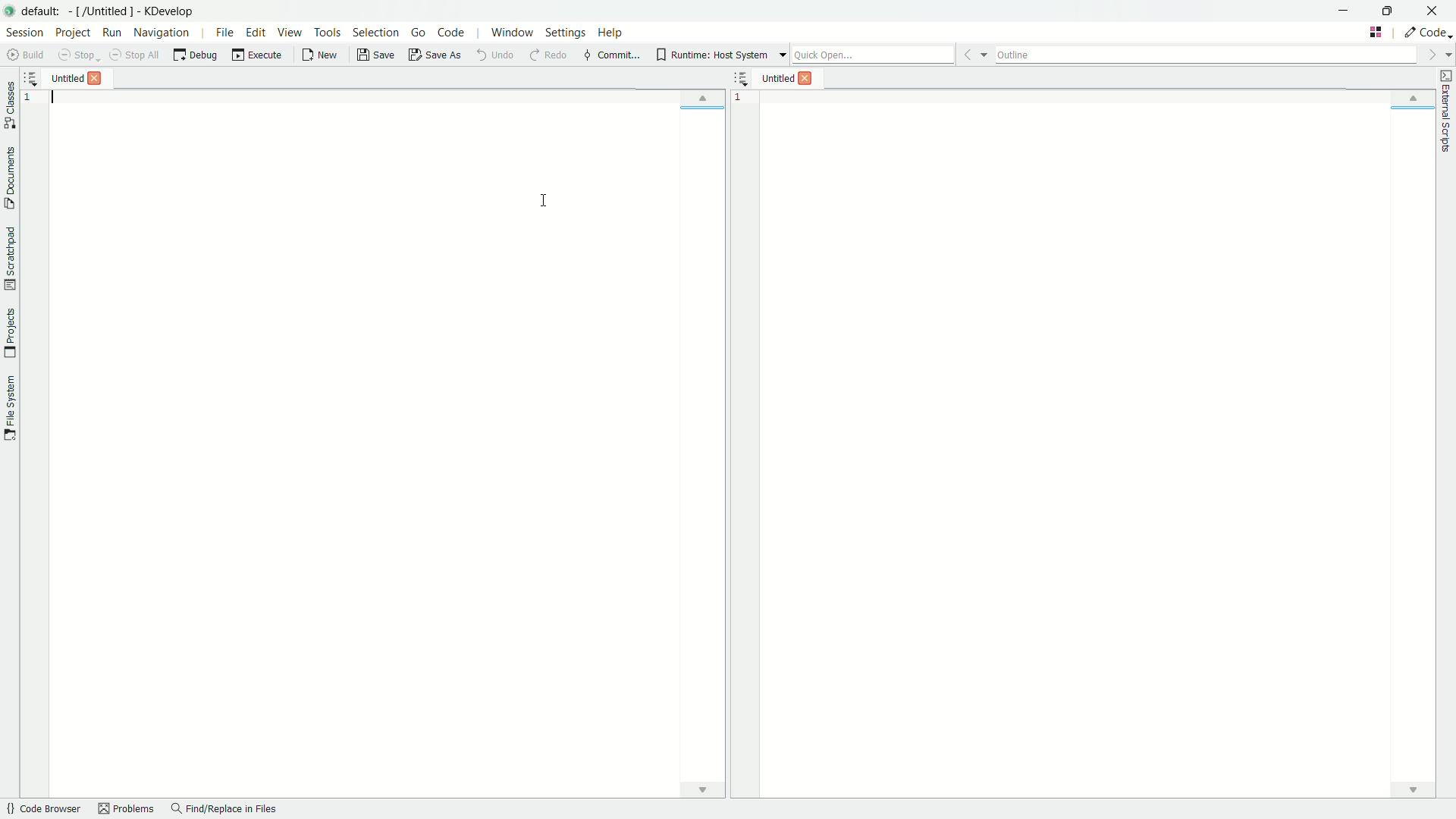 This screenshot has width=1456, height=819. I want to click on run menu, so click(112, 33).